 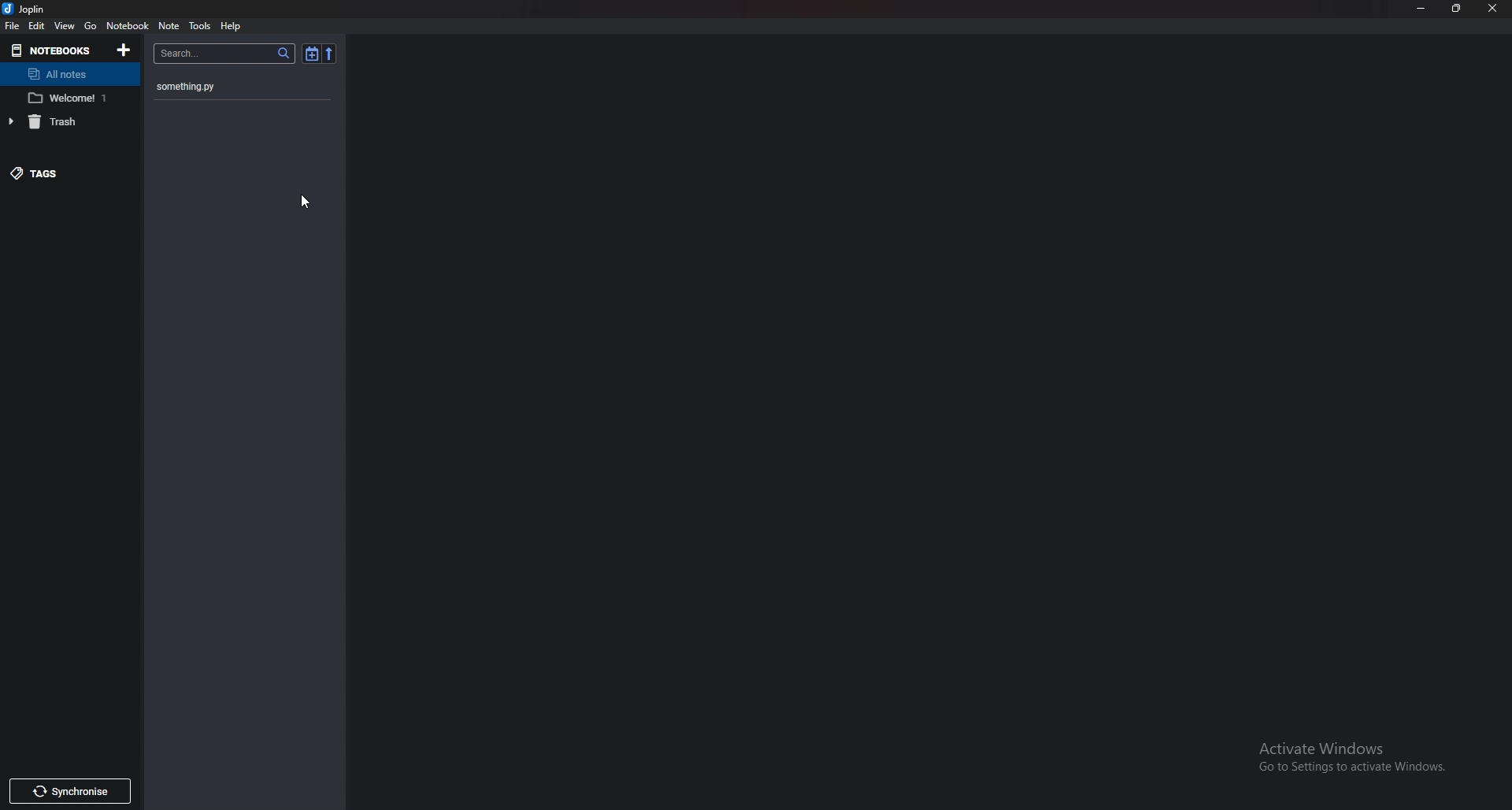 What do you see at coordinates (63, 121) in the screenshot?
I see `trash` at bounding box center [63, 121].